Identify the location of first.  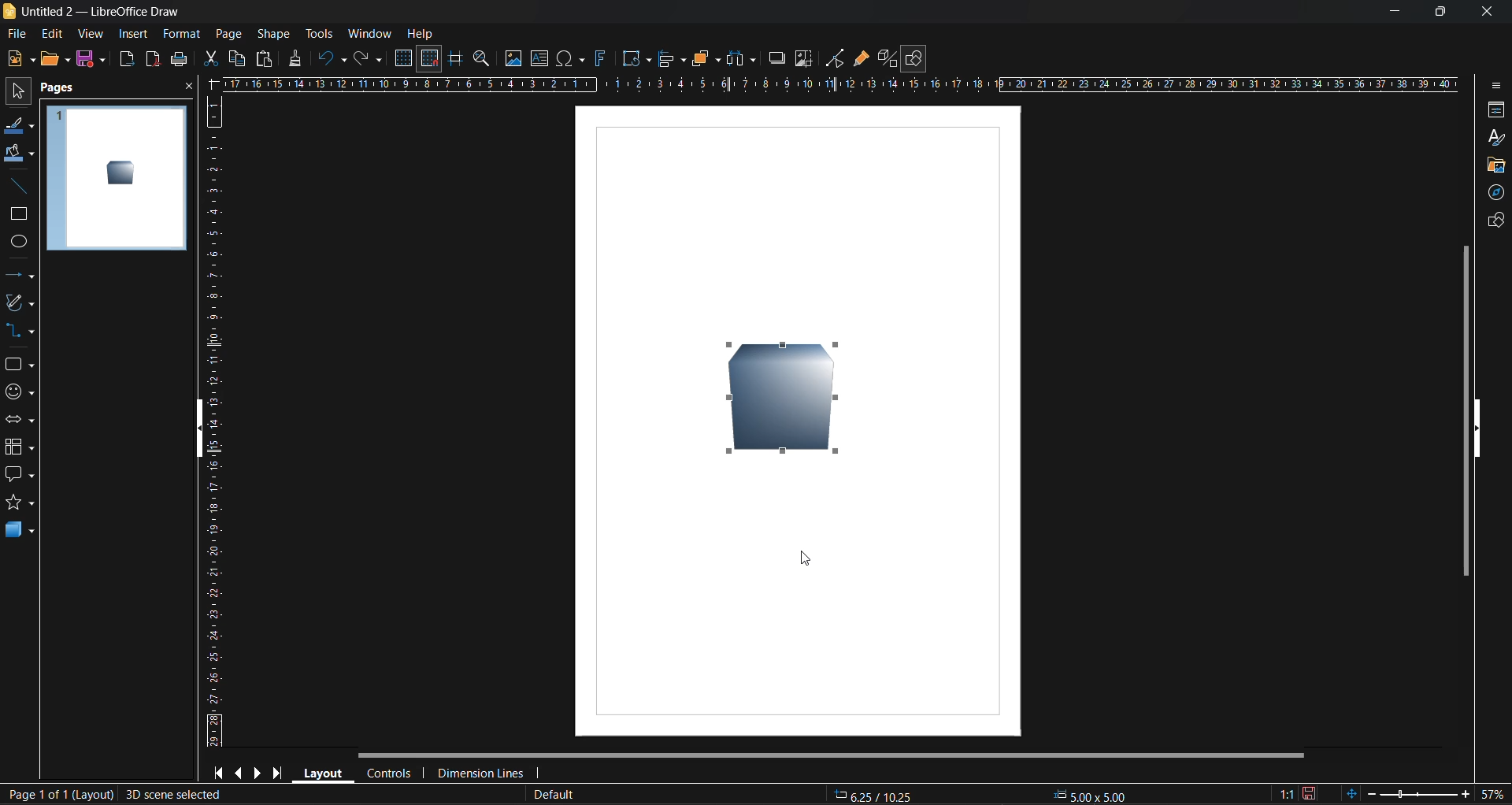
(222, 773).